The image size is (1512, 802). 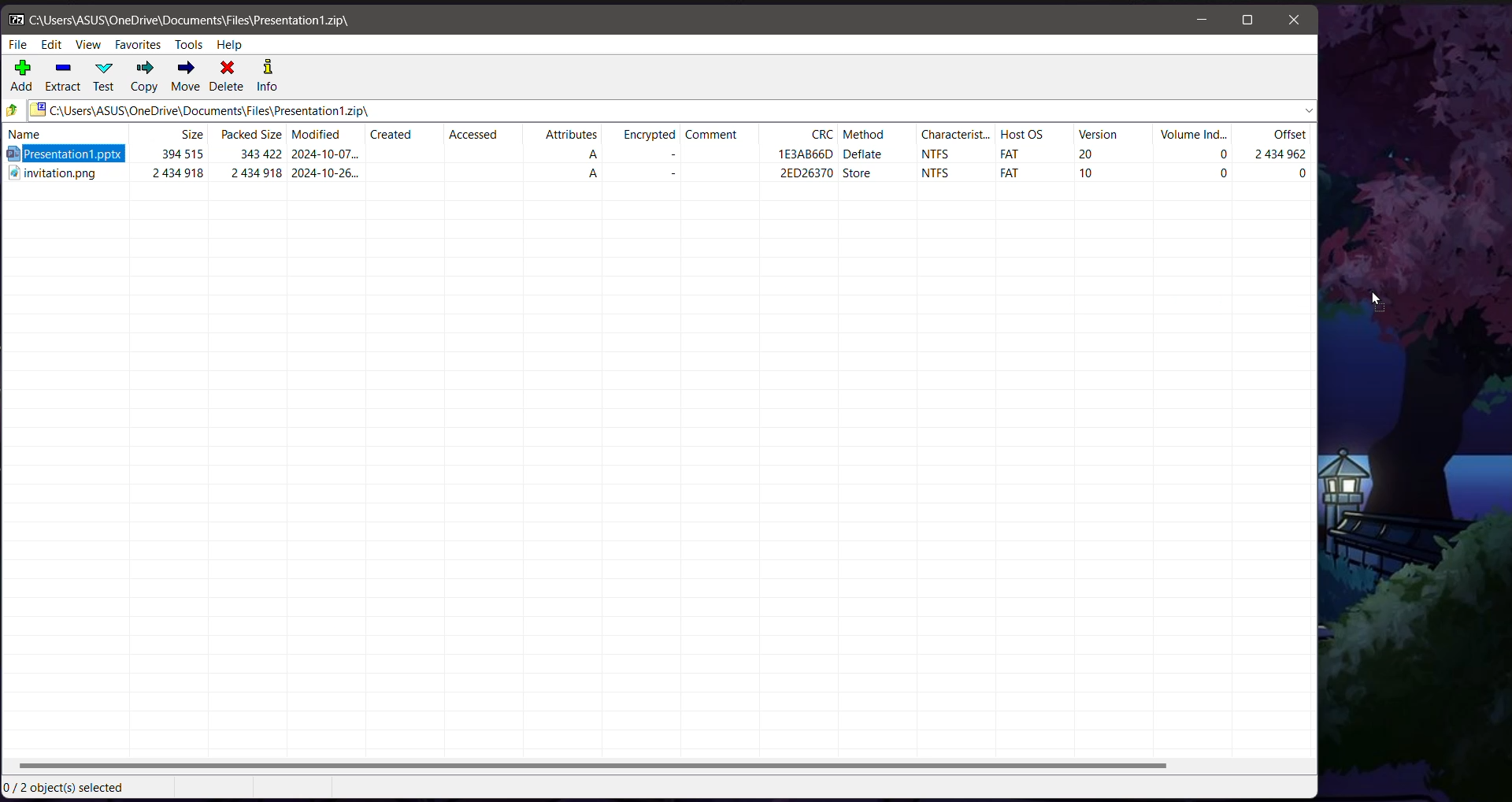 What do you see at coordinates (17, 46) in the screenshot?
I see `File` at bounding box center [17, 46].